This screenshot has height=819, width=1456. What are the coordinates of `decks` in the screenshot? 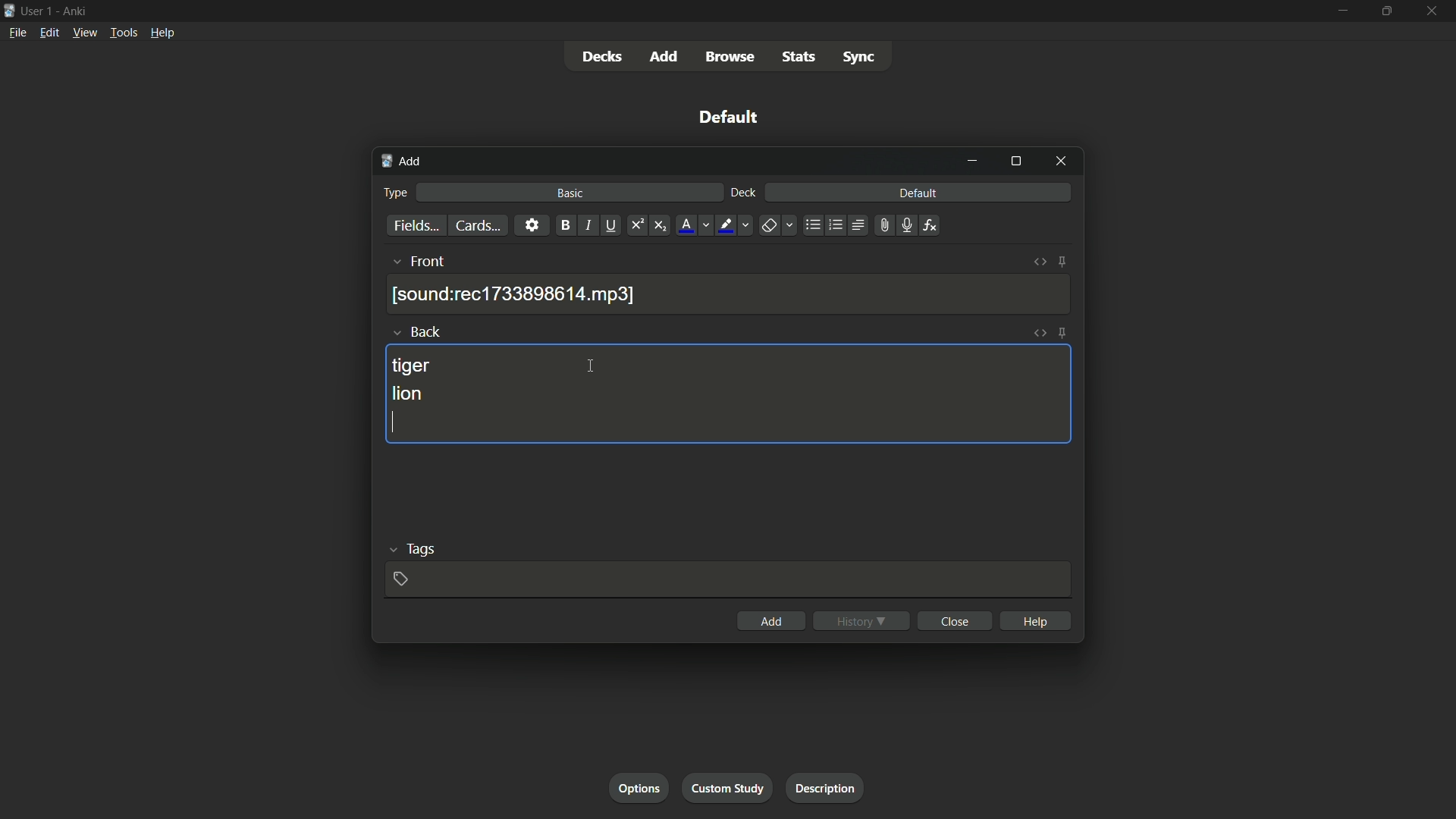 It's located at (602, 57).